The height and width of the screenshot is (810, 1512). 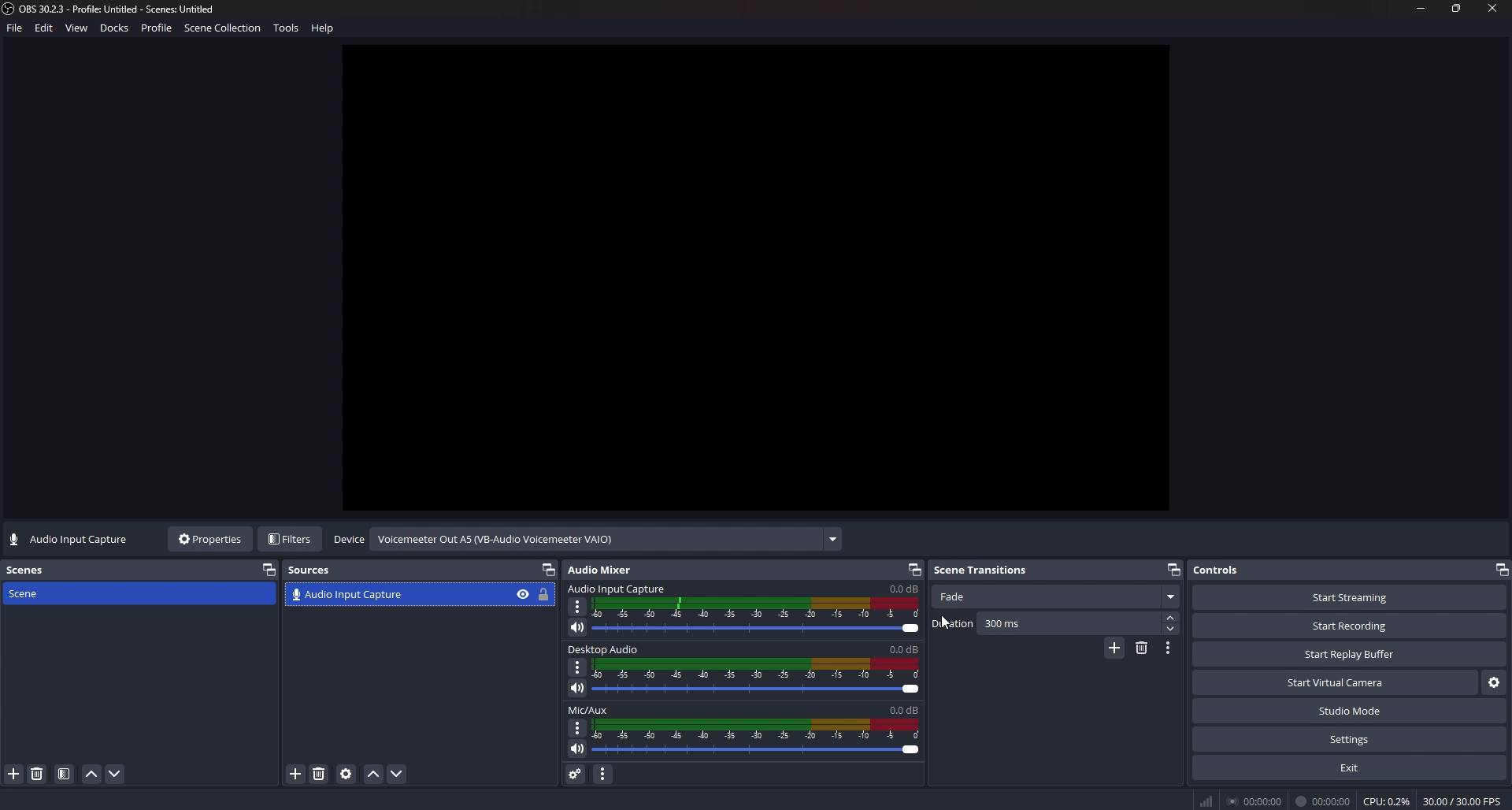 I want to click on ok, so click(x=594, y=708).